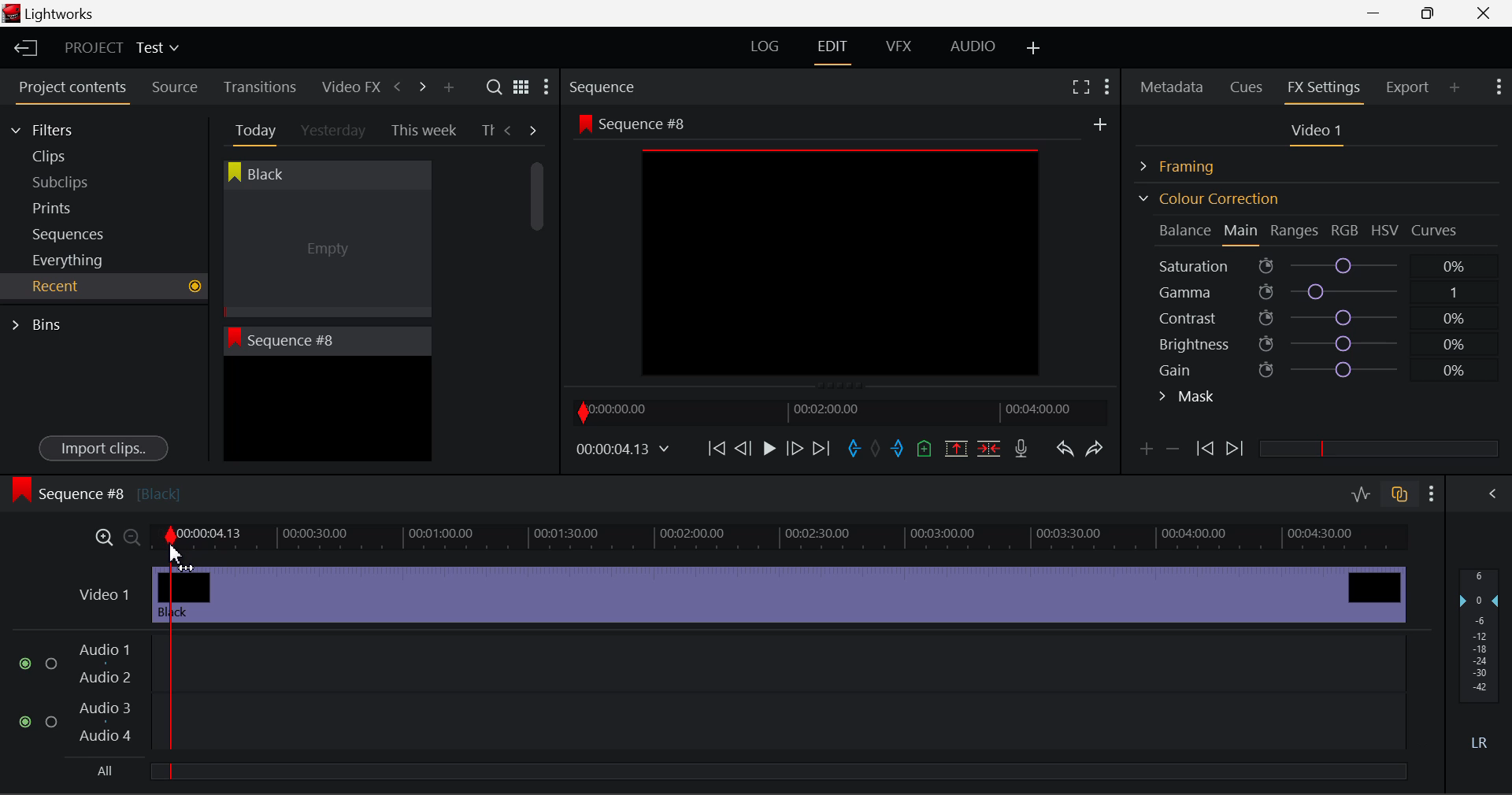 This screenshot has width=1512, height=795. What do you see at coordinates (1346, 231) in the screenshot?
I see `RGB` at bounding box center [1346, 231].